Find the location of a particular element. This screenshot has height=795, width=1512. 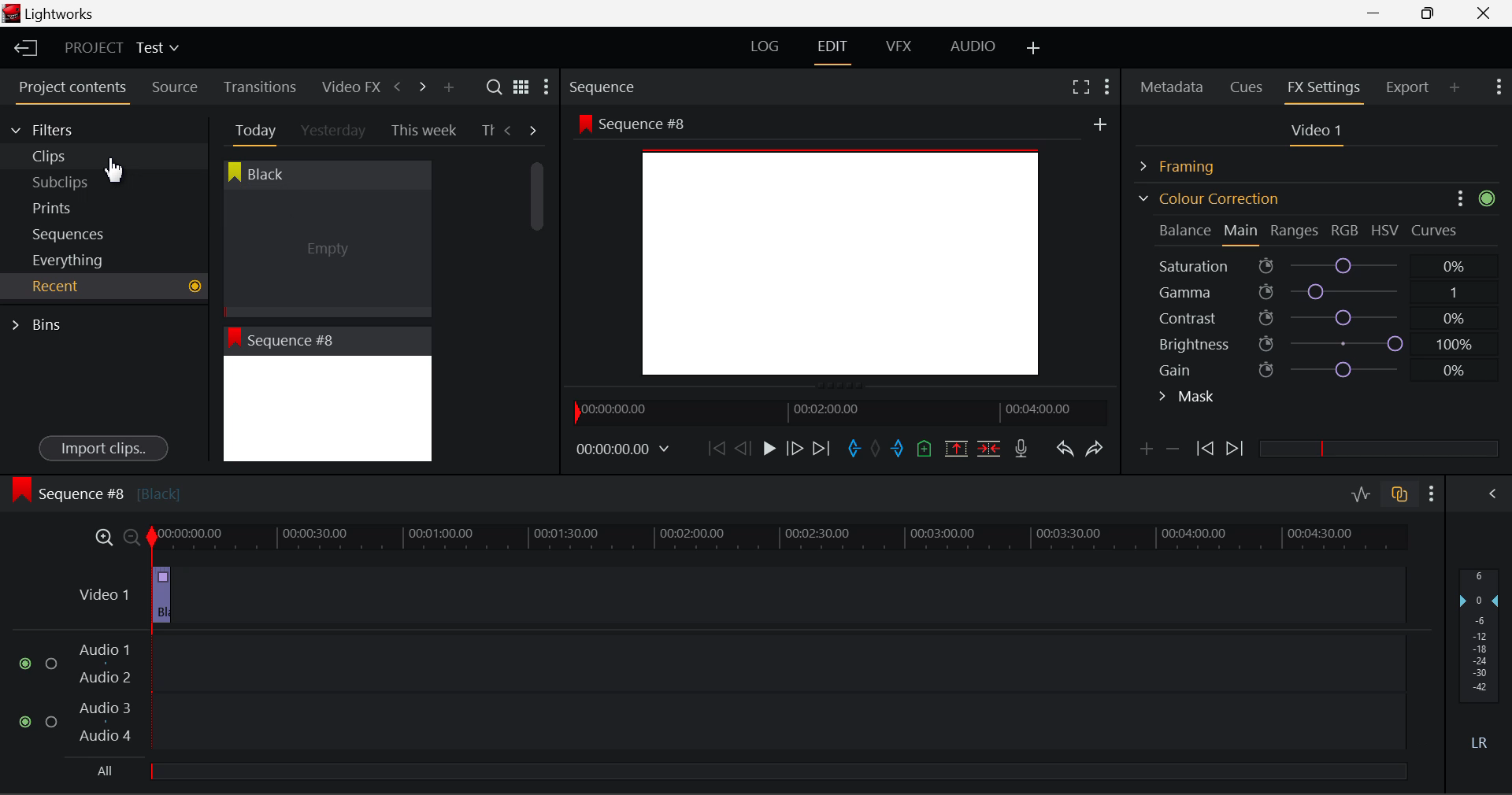

FX Settings Panel Open is located at coordinates (1325, 89).